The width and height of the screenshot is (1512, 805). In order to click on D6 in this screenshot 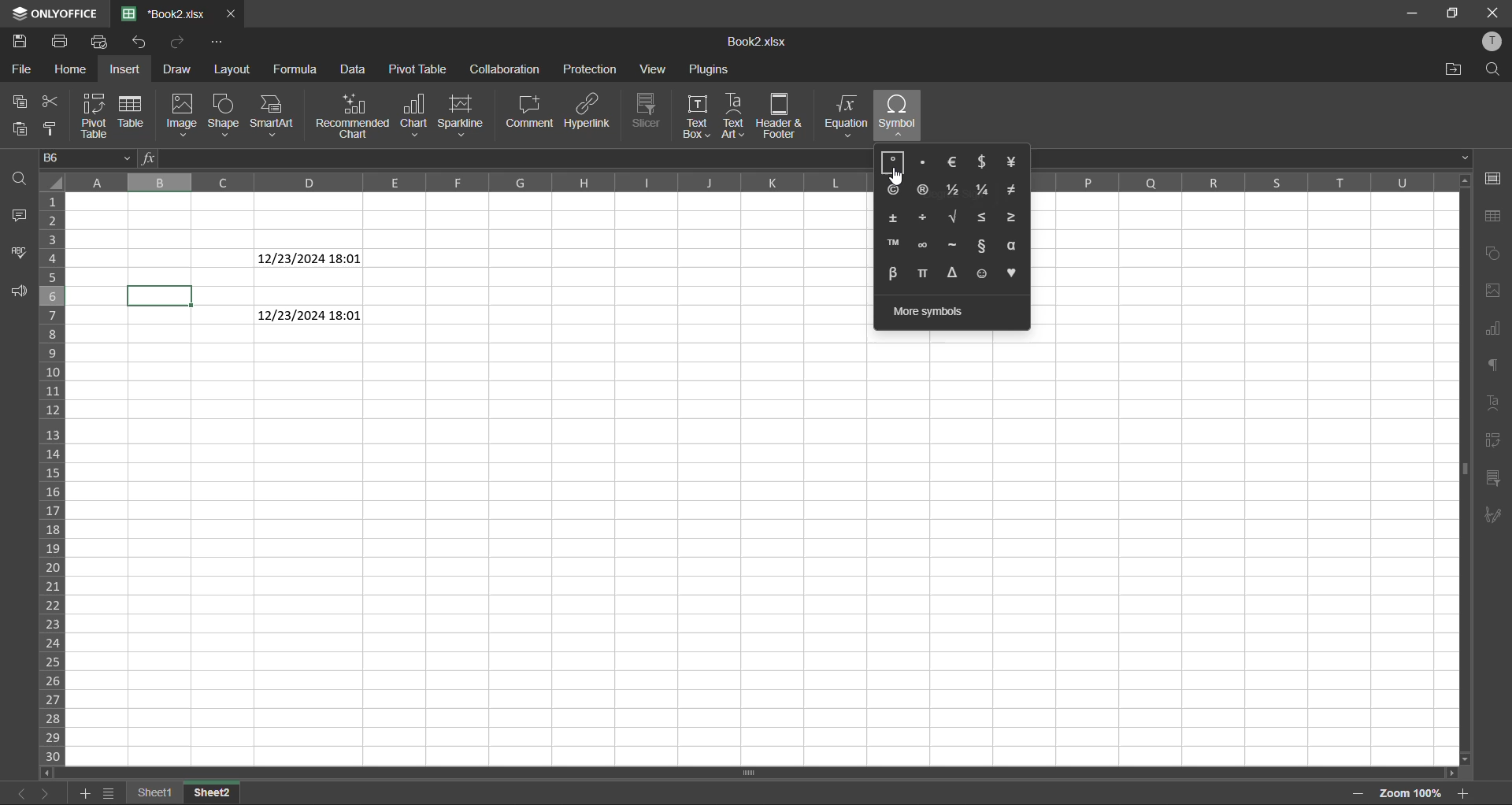, I will do `click(88, 158)`.